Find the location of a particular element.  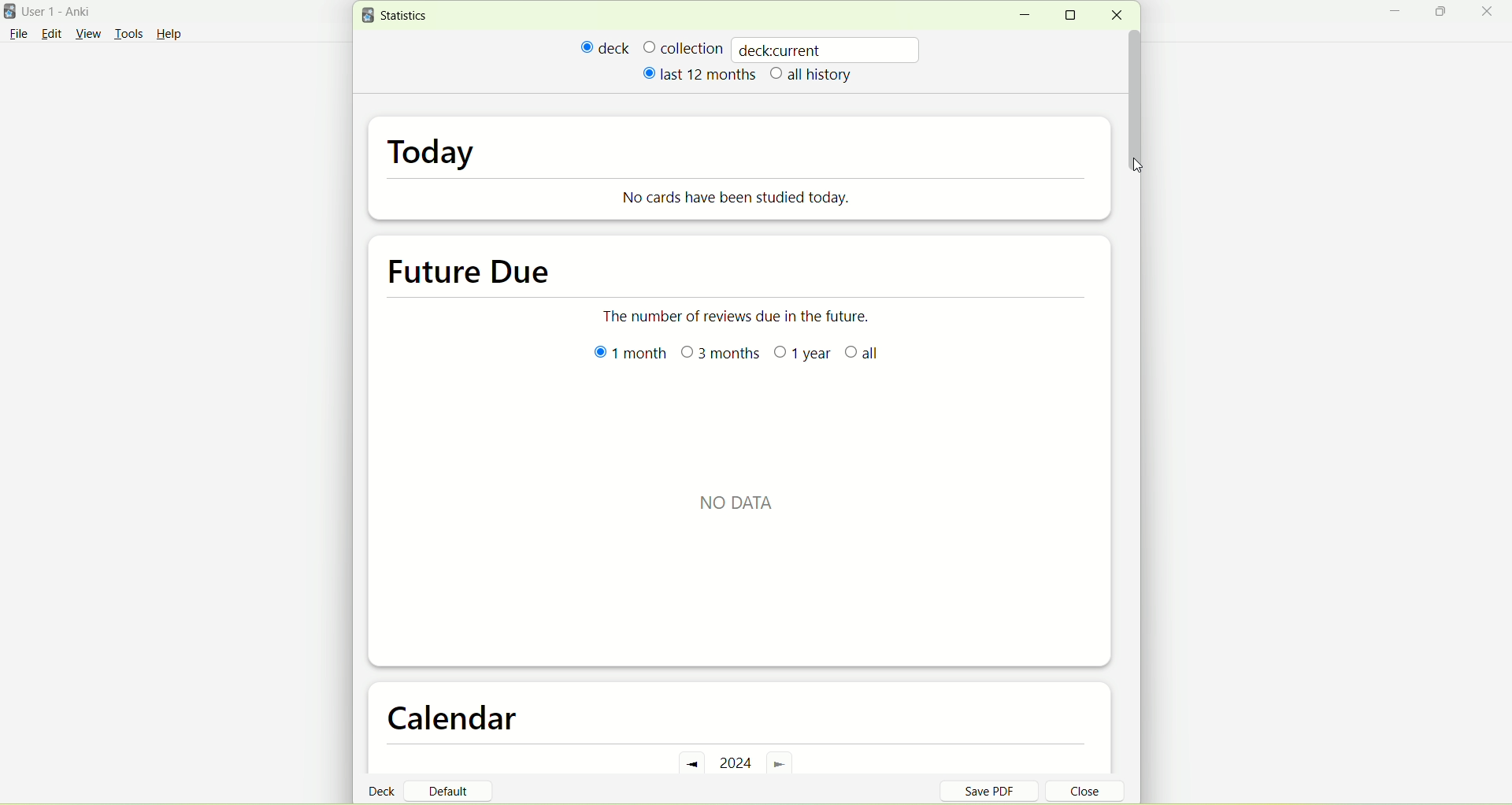

all history is located at coordinates (812, 76).